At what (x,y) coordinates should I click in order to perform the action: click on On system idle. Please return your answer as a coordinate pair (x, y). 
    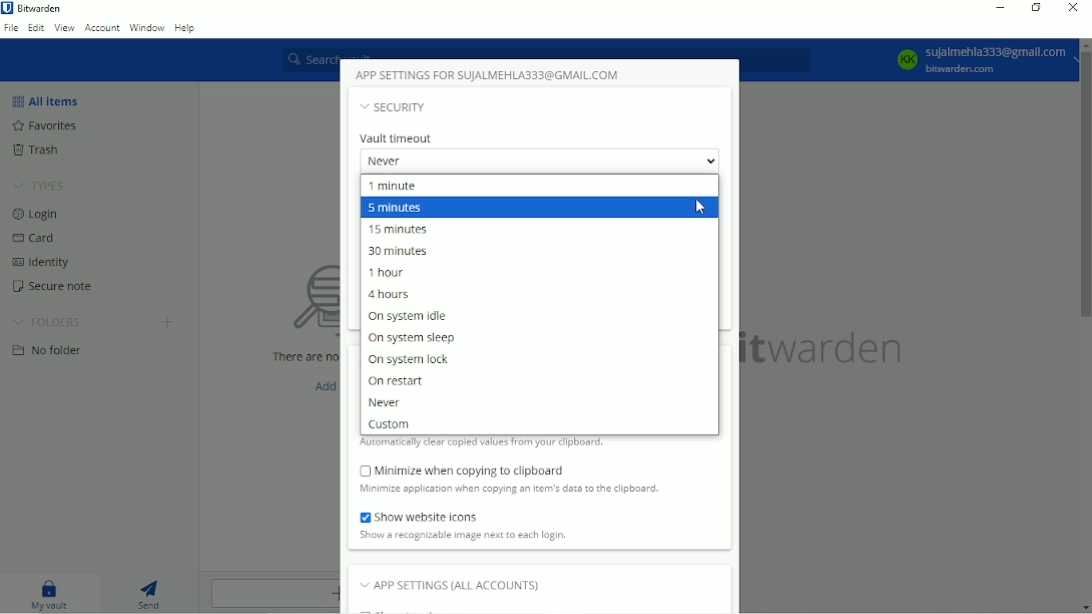
    Looking at the image, I should click on (417, 316).